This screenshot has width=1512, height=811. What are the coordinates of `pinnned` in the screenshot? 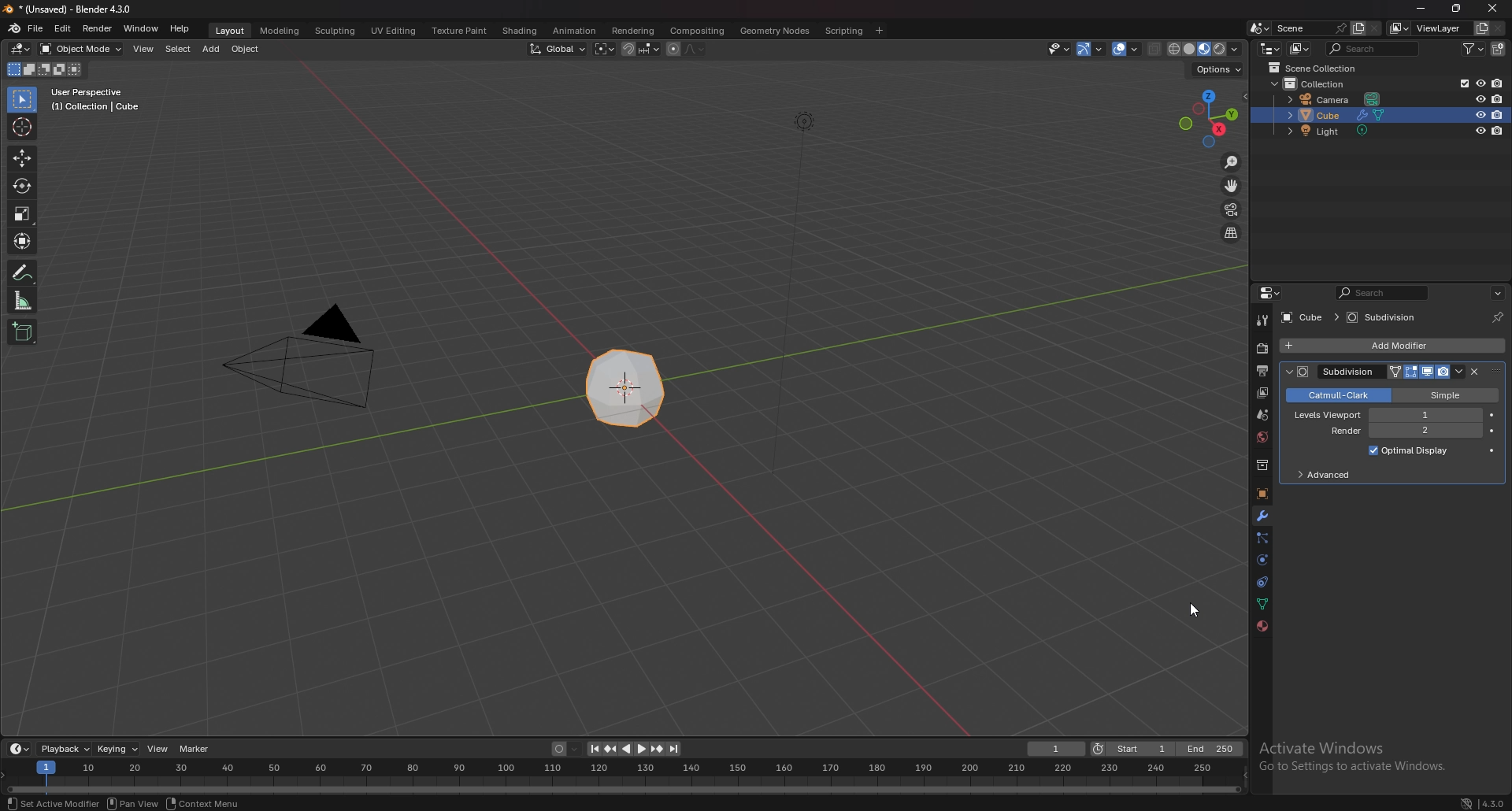 It's located at (1493, 316).